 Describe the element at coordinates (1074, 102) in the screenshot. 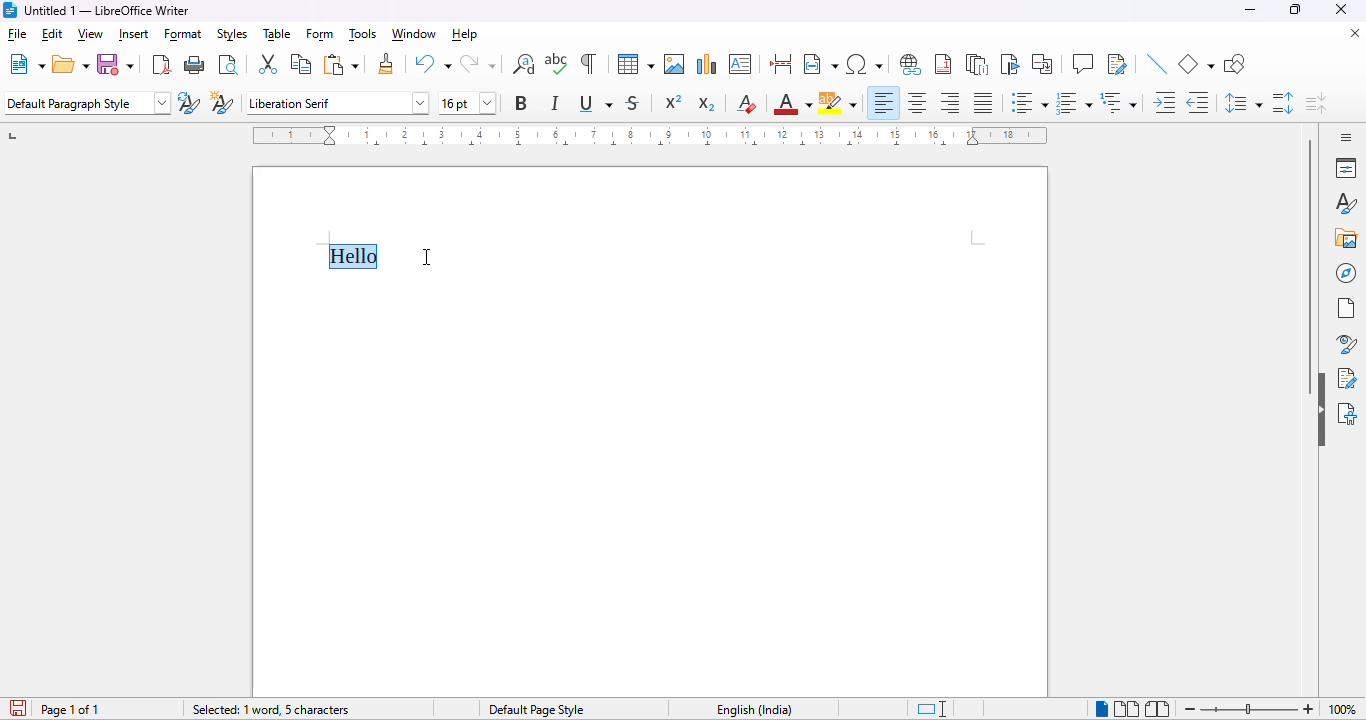

I see `toggle ordered list` at that location.